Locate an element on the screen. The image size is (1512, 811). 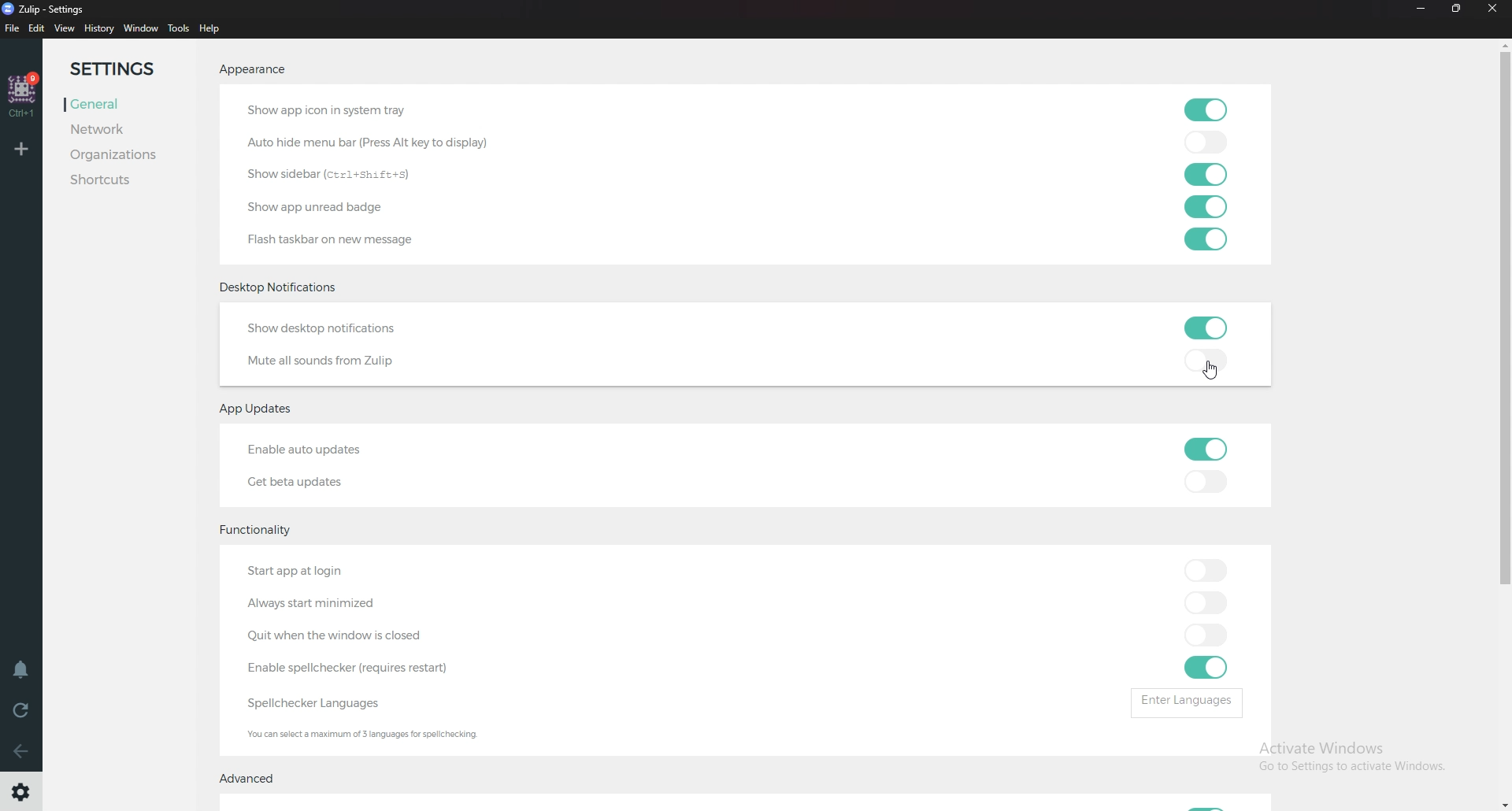
quit when window is closed is located at coordinates (367, 636).